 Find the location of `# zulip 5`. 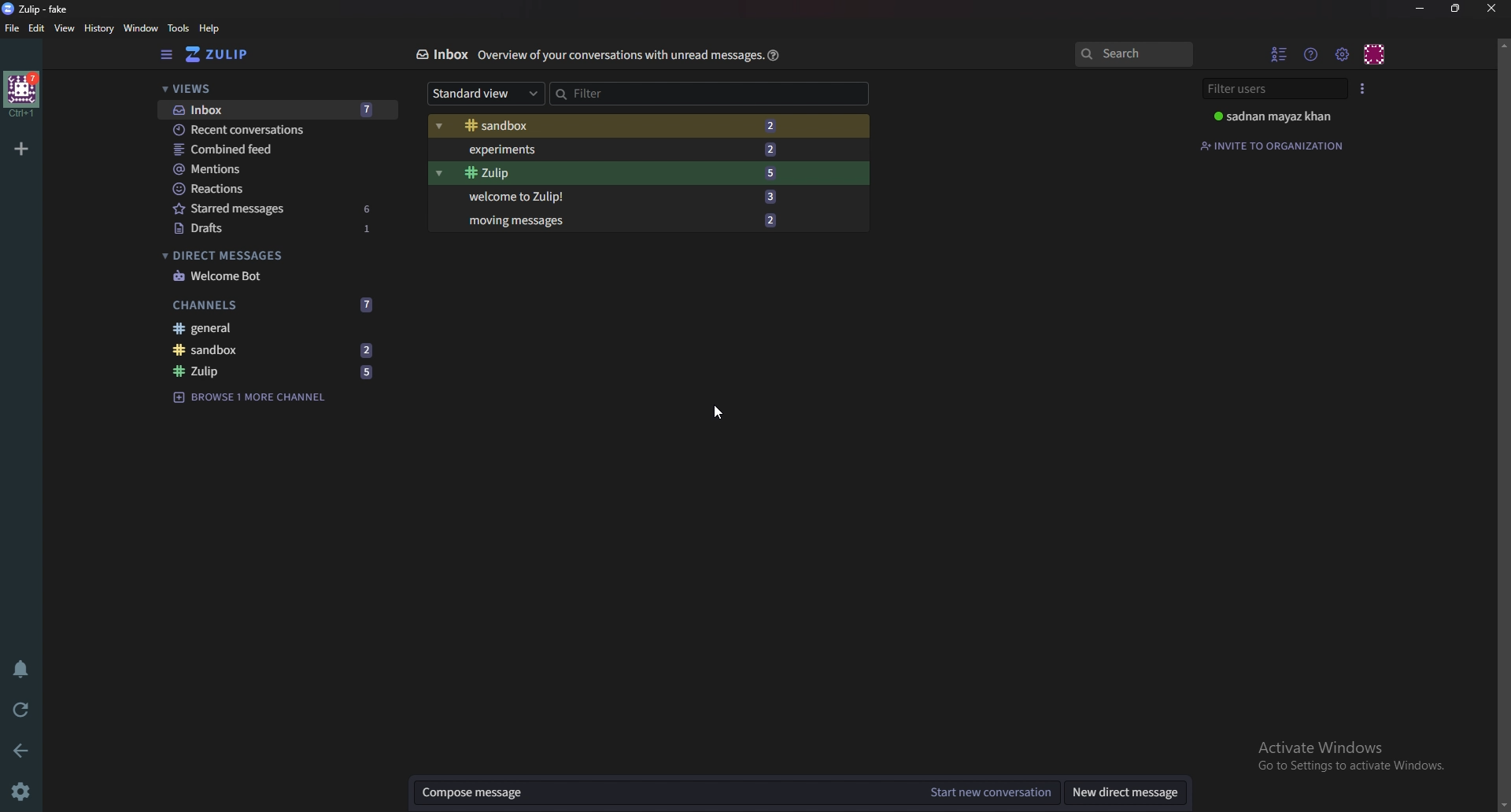

# zulip 5 is located at coordinates (610, 174).